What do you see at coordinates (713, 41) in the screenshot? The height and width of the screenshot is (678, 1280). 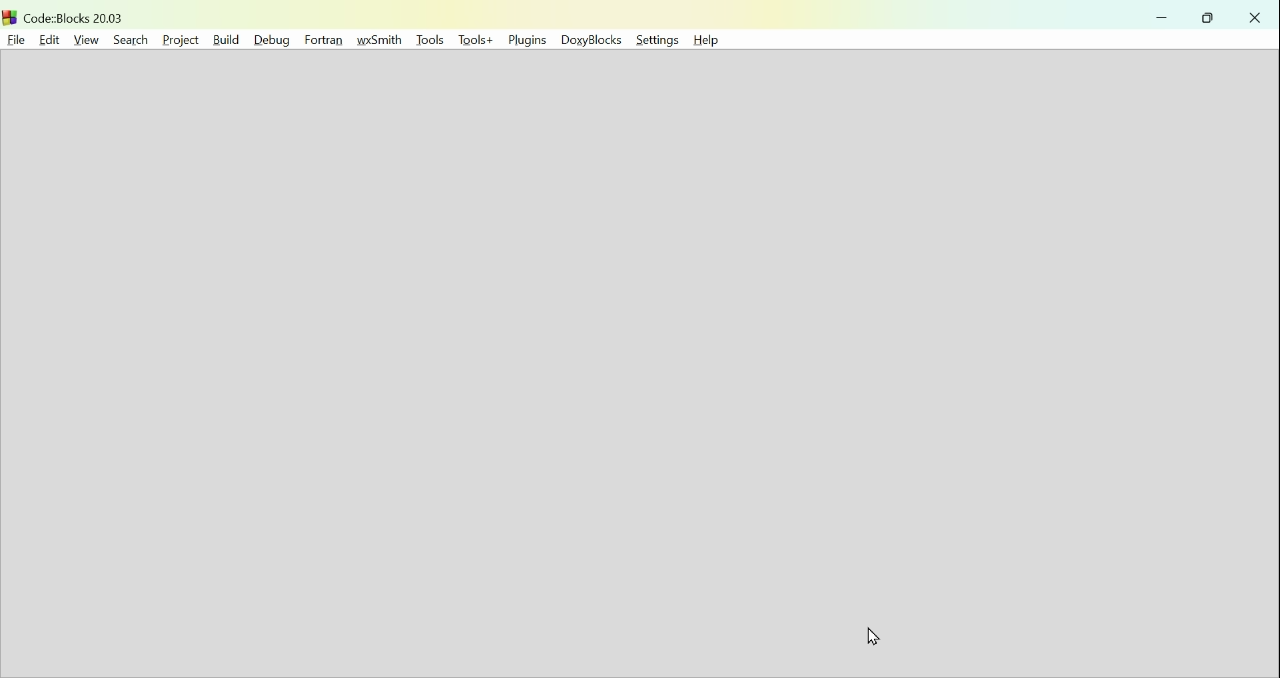 I see `help` at bounding box center [713, 41].